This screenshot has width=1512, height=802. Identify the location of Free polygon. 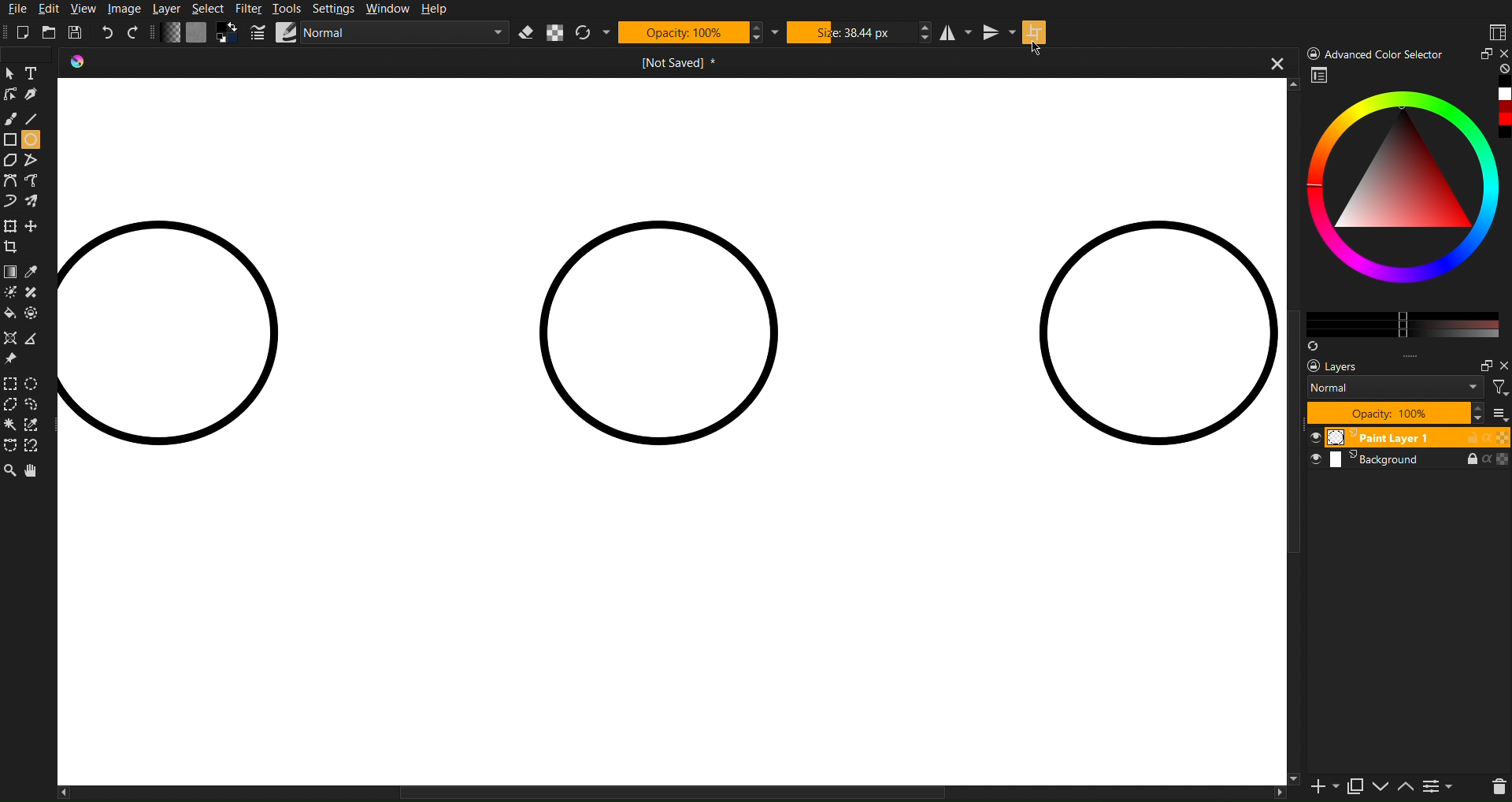
(30, 161).